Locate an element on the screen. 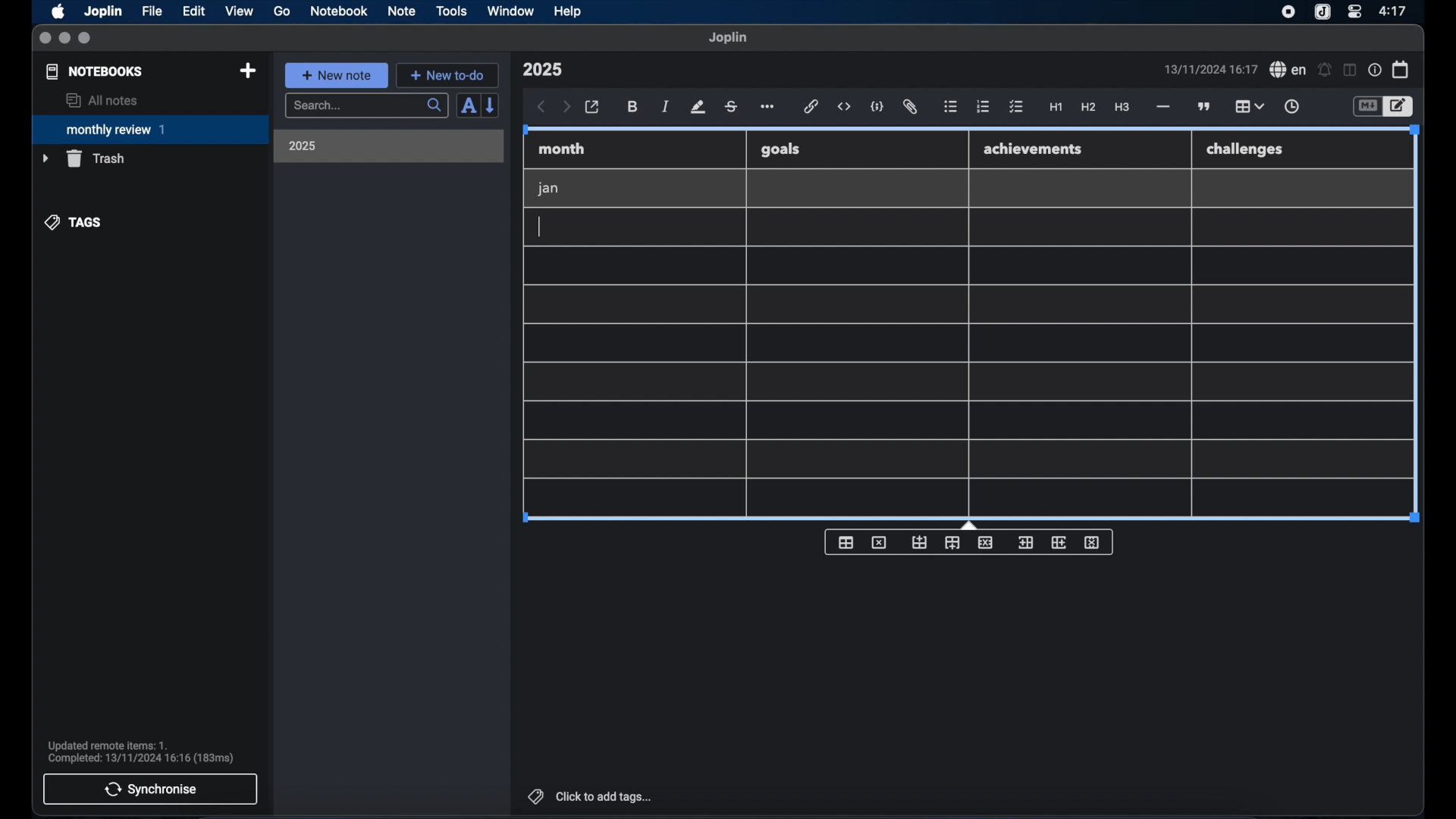 The height and width of the screenshot is (819, 1456). back is located at coordinates (541, 107).